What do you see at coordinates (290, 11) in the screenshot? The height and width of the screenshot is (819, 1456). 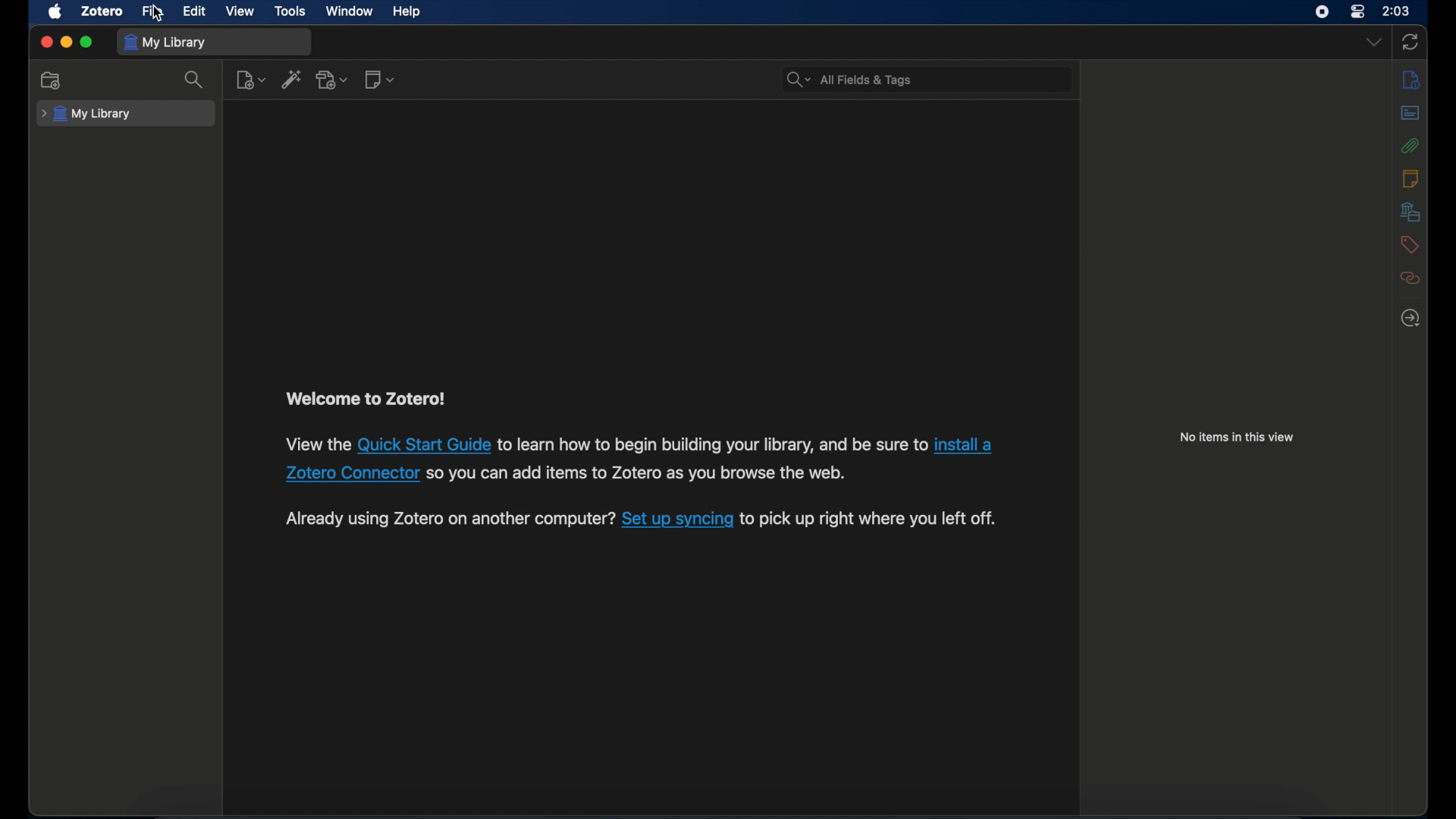 I see `tools` at bounding box center [290, 11].